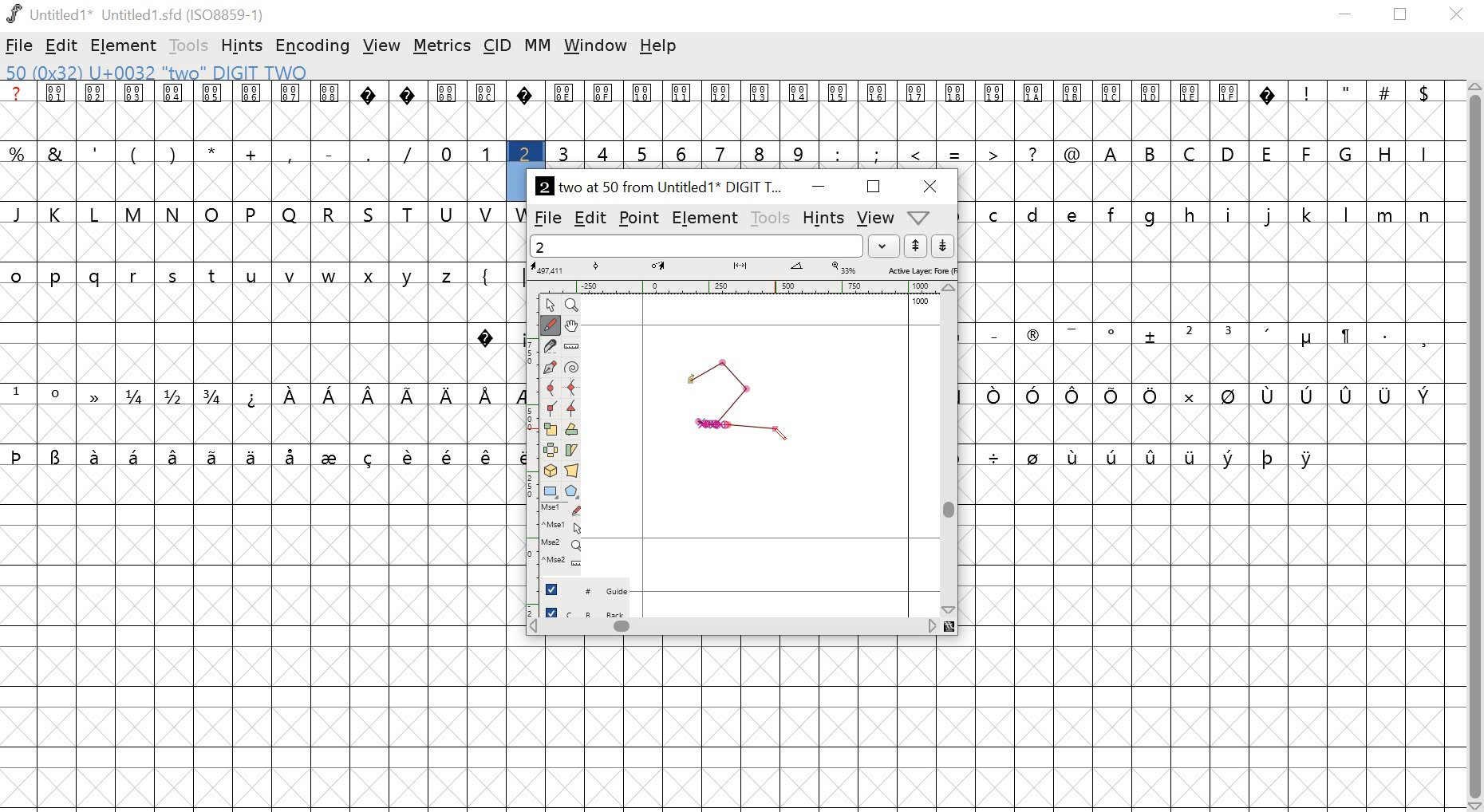 The image size is (1484, 812). I want to click on measurement, so click(741, 269).